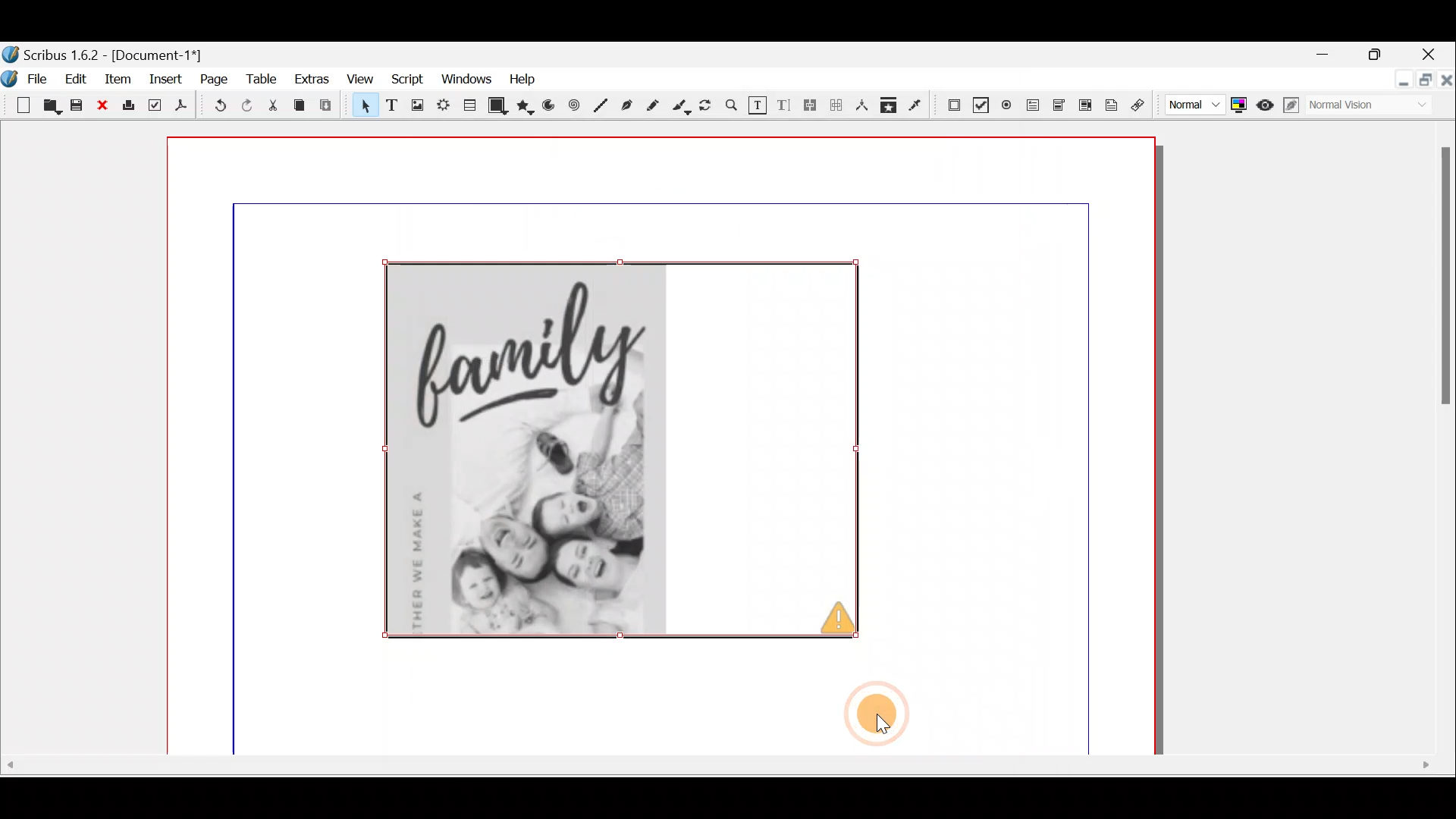 Image resolution: width=1456 pixels, height=819 pixels. Describe the element at coordinates (1061, 110) in the screenshot. I see `PDF combo box` at that location.